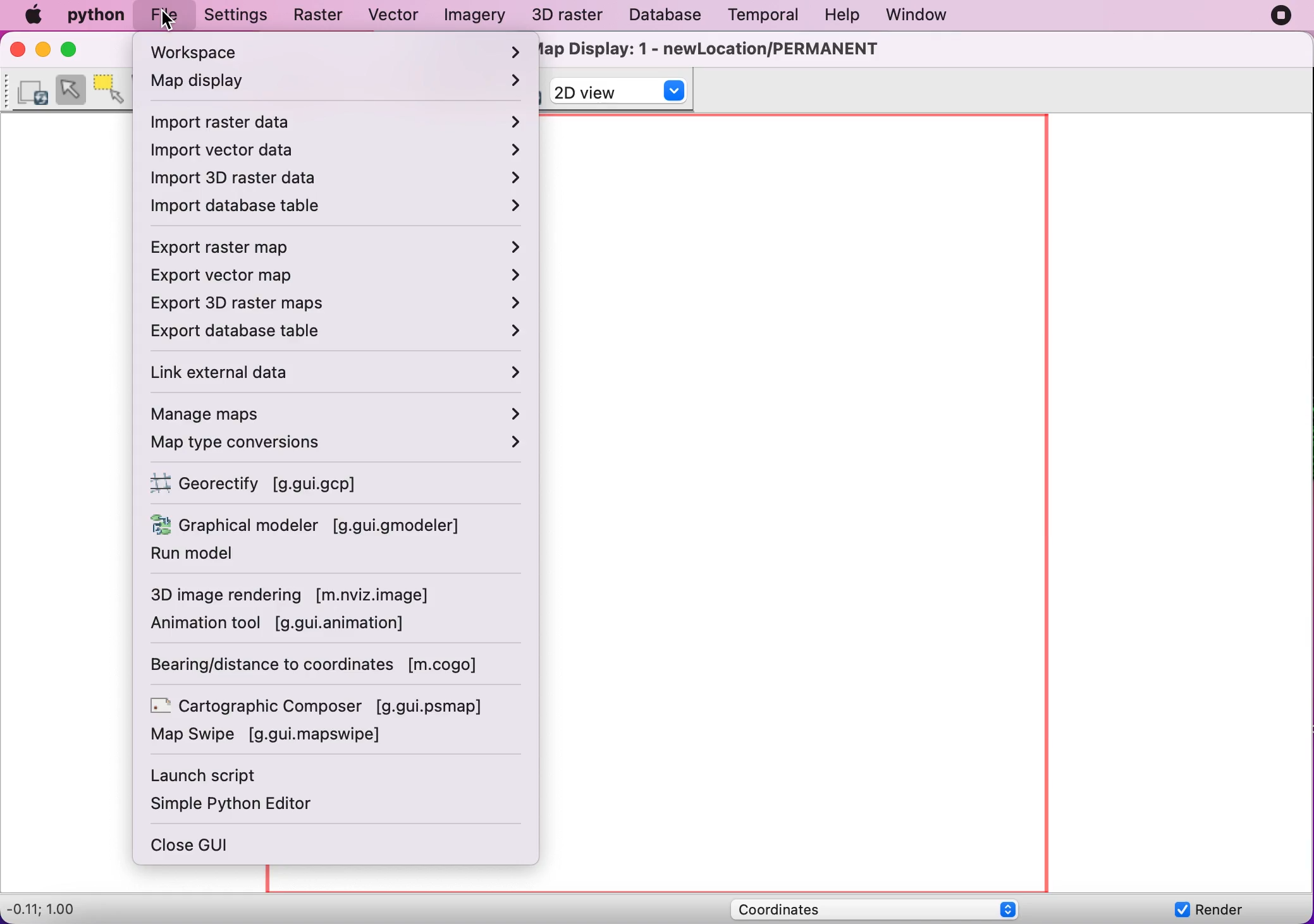  I want to click on imagery, so click(477, 16).